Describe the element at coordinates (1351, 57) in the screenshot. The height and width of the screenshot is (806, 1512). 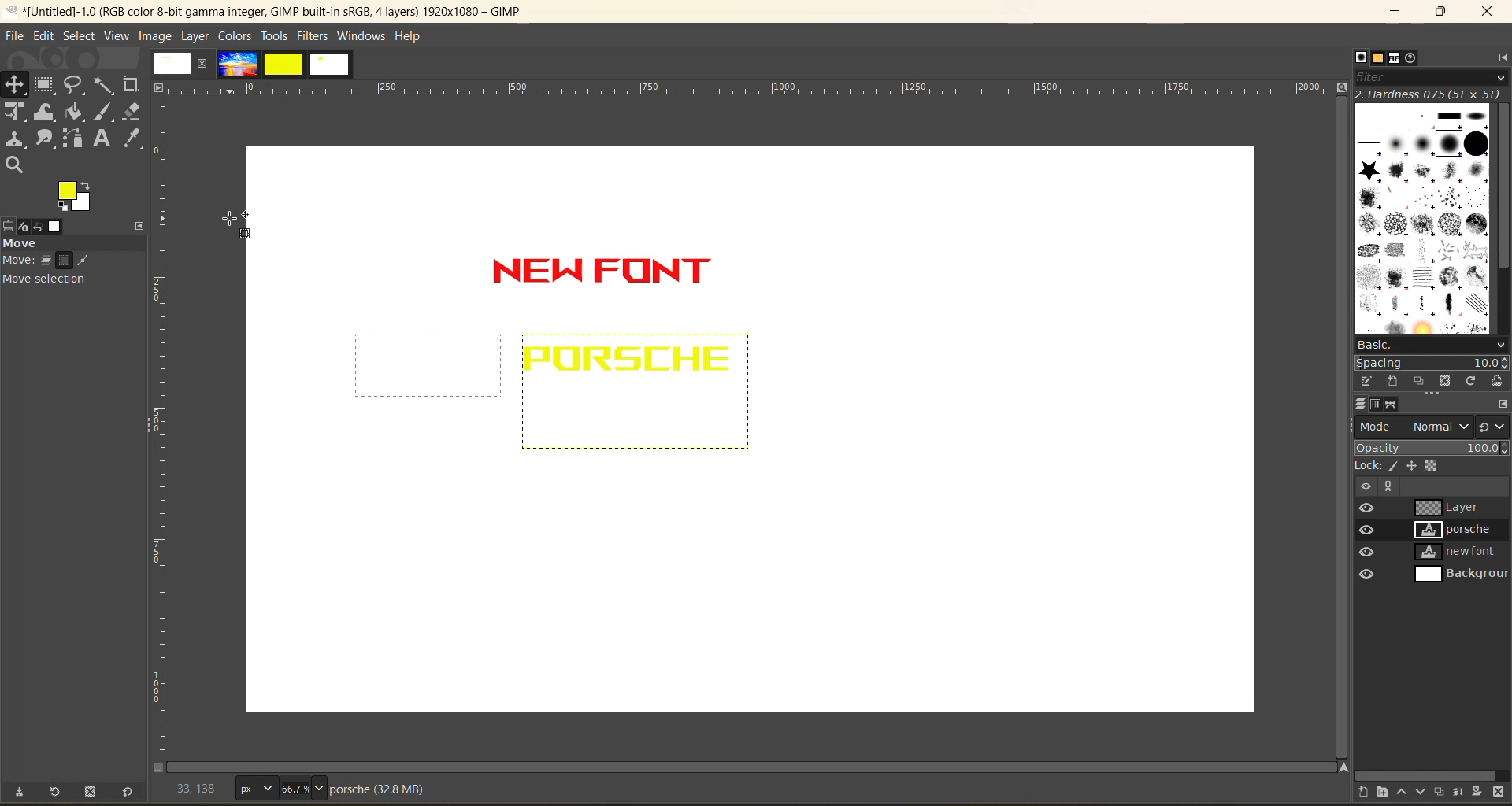
I see `brushes` at that location.